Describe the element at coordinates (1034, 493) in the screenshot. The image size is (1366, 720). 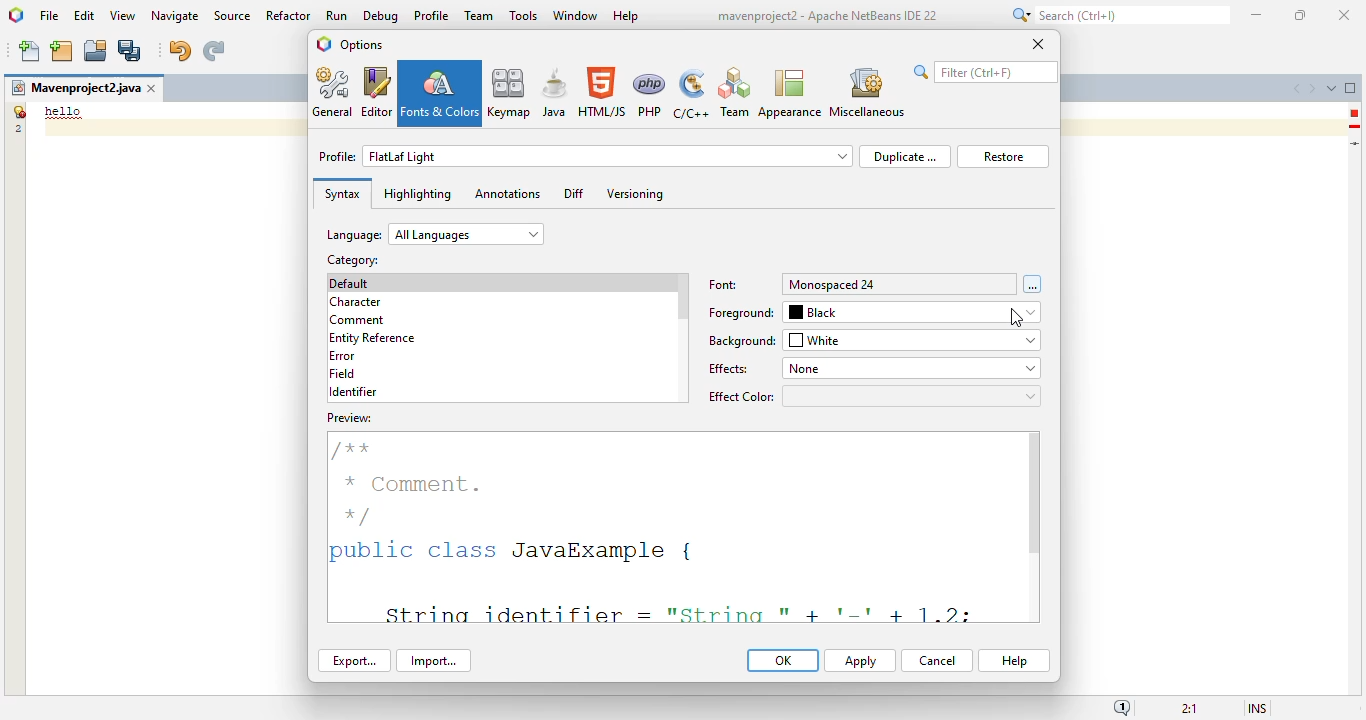
I see `vertical scroll bar` at that location.